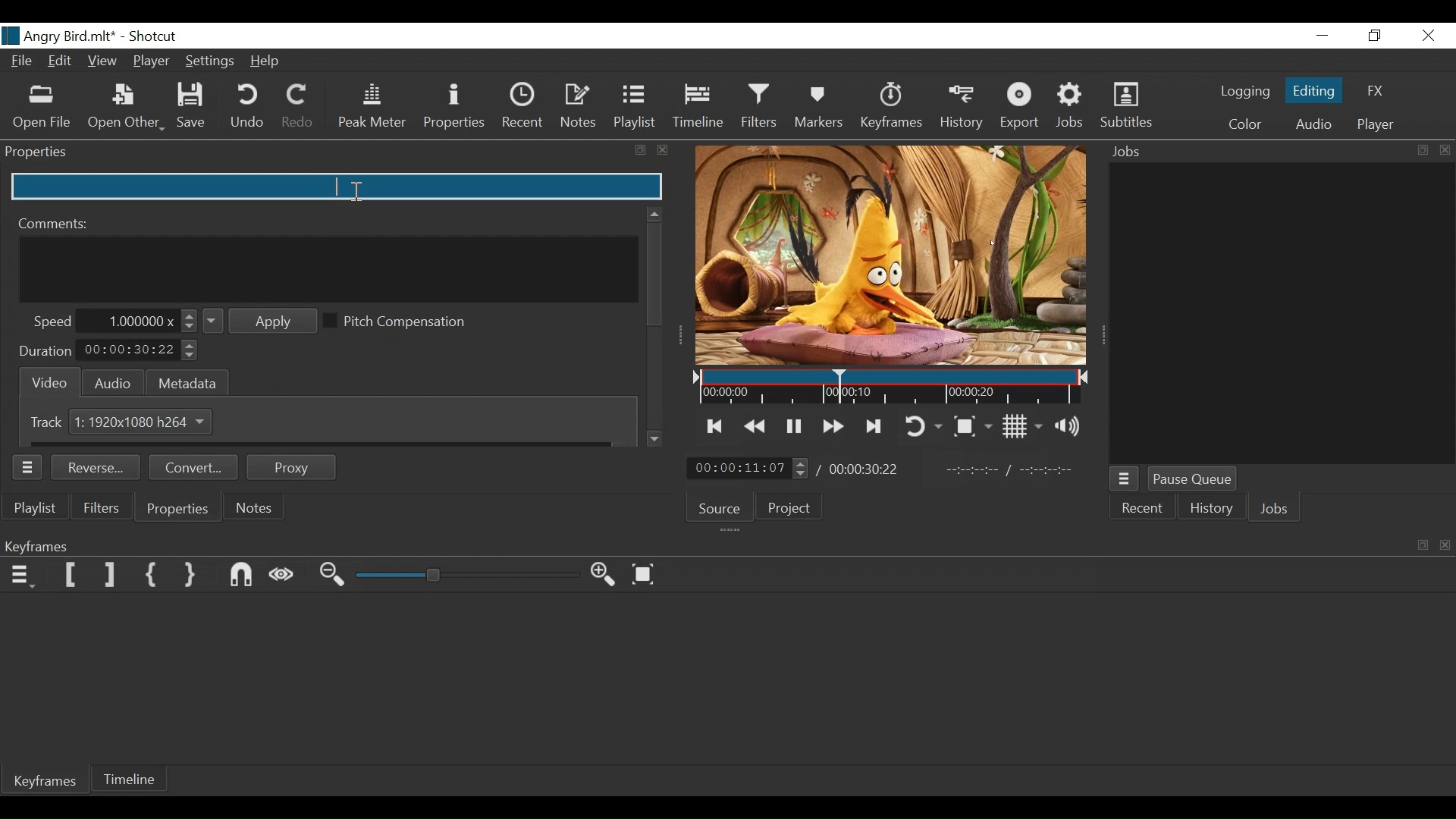  I want to click on Properties, so click(453, 106).